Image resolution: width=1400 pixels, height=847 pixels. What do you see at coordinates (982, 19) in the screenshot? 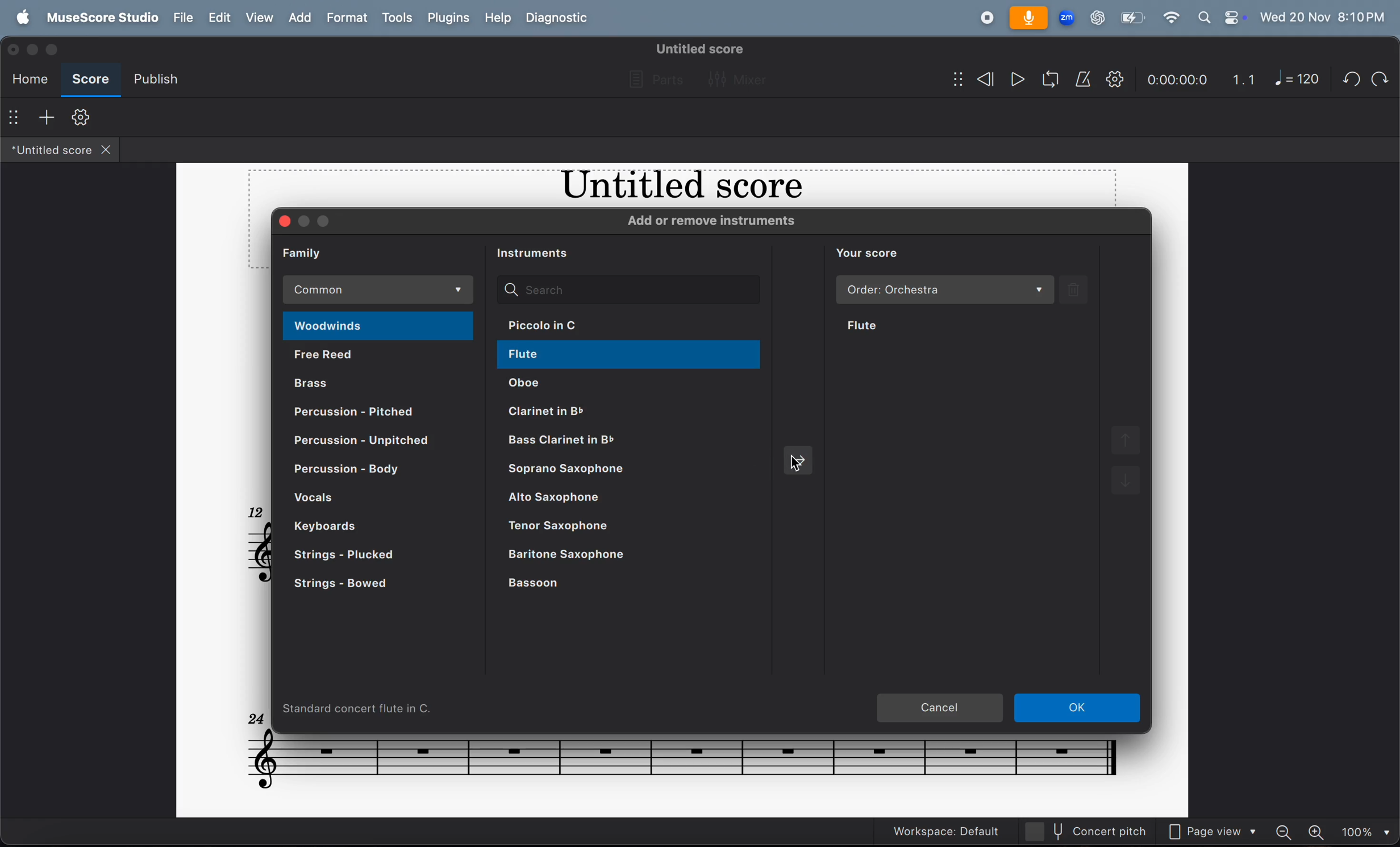
I see `record` at bounding box center [982, 19].